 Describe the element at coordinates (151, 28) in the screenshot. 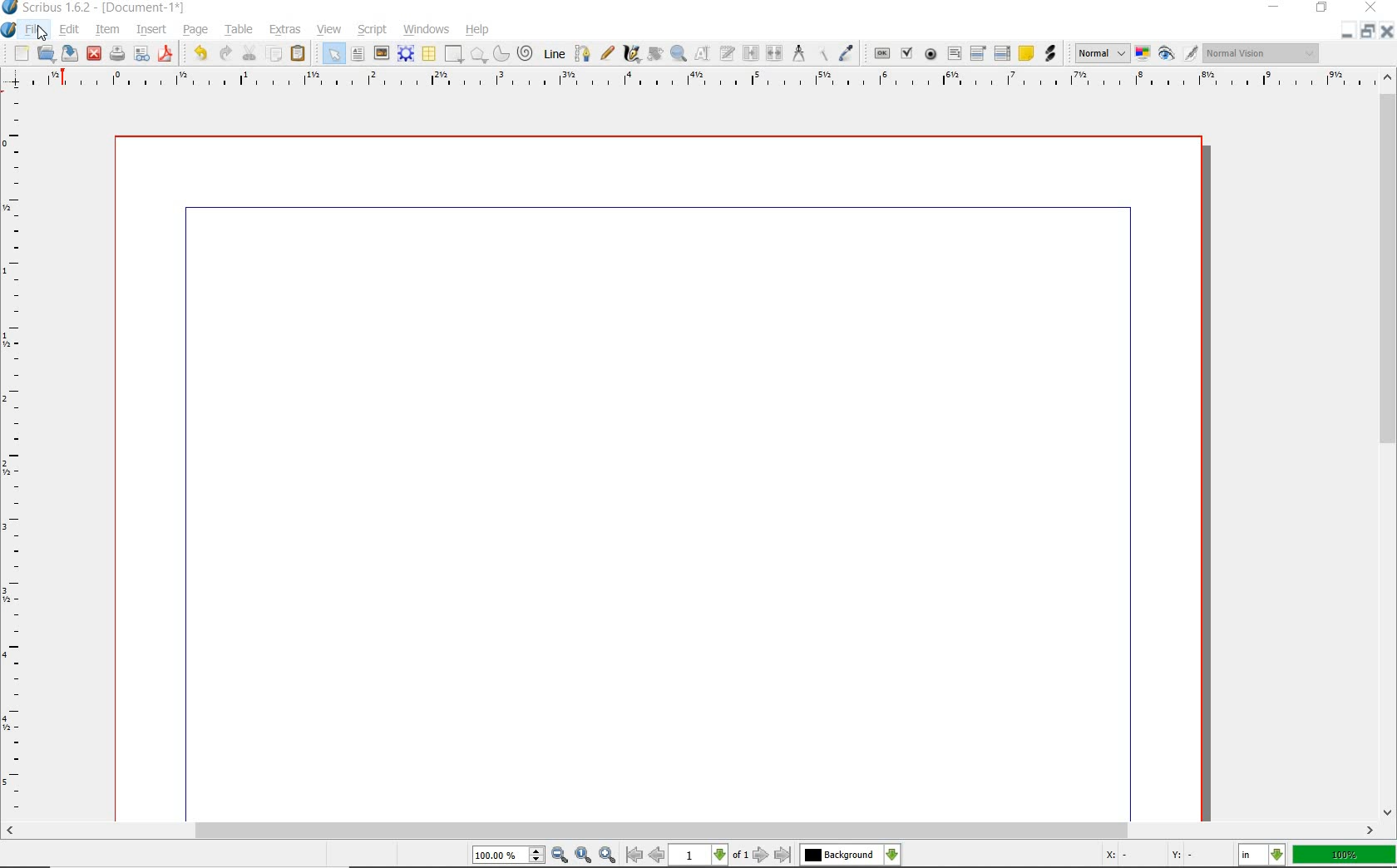

I see `insert` at that location.